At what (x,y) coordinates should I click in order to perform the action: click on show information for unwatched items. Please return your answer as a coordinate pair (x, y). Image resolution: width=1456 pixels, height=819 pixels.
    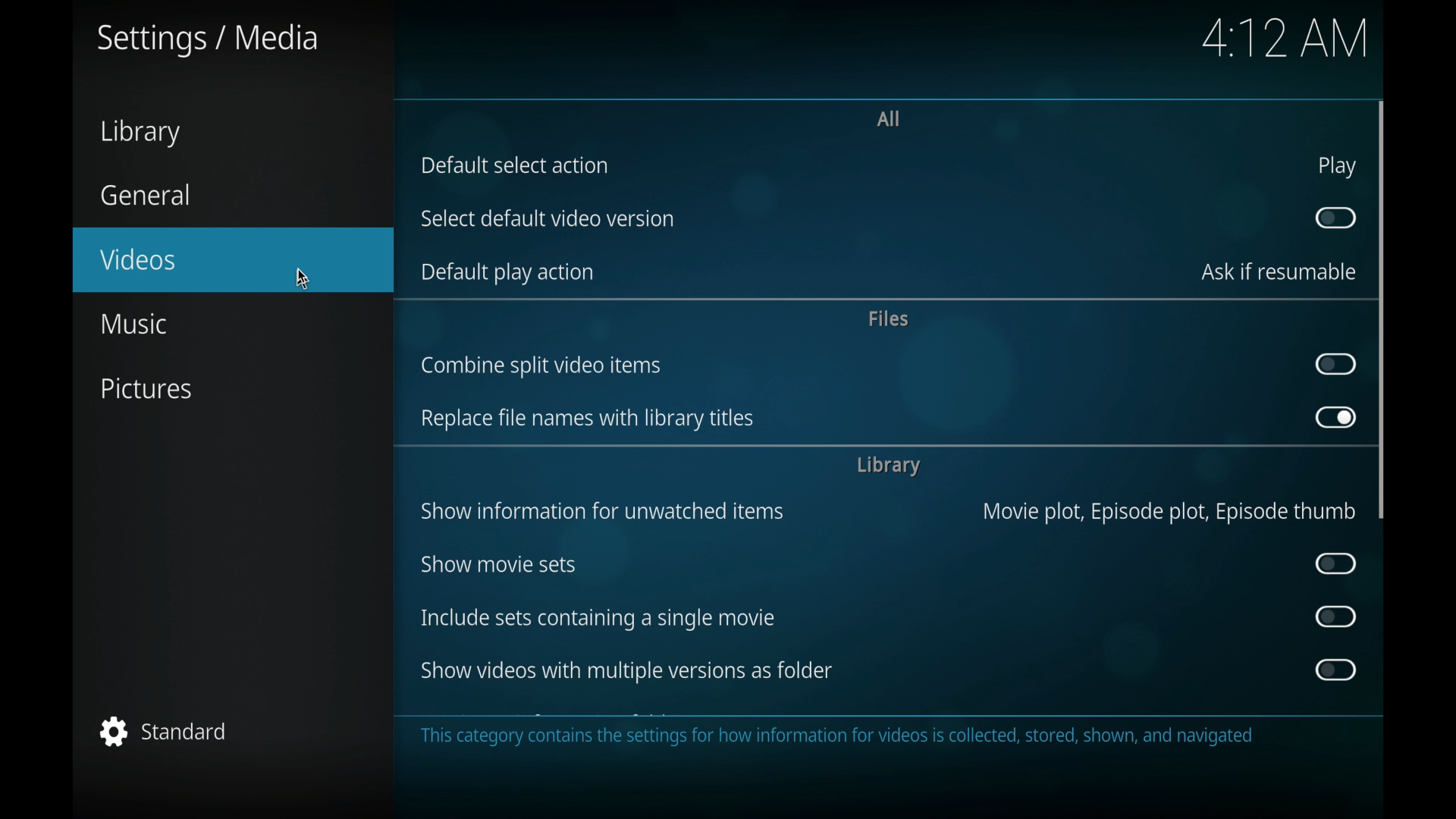
    Looking at the image, I should click on (601, 511).